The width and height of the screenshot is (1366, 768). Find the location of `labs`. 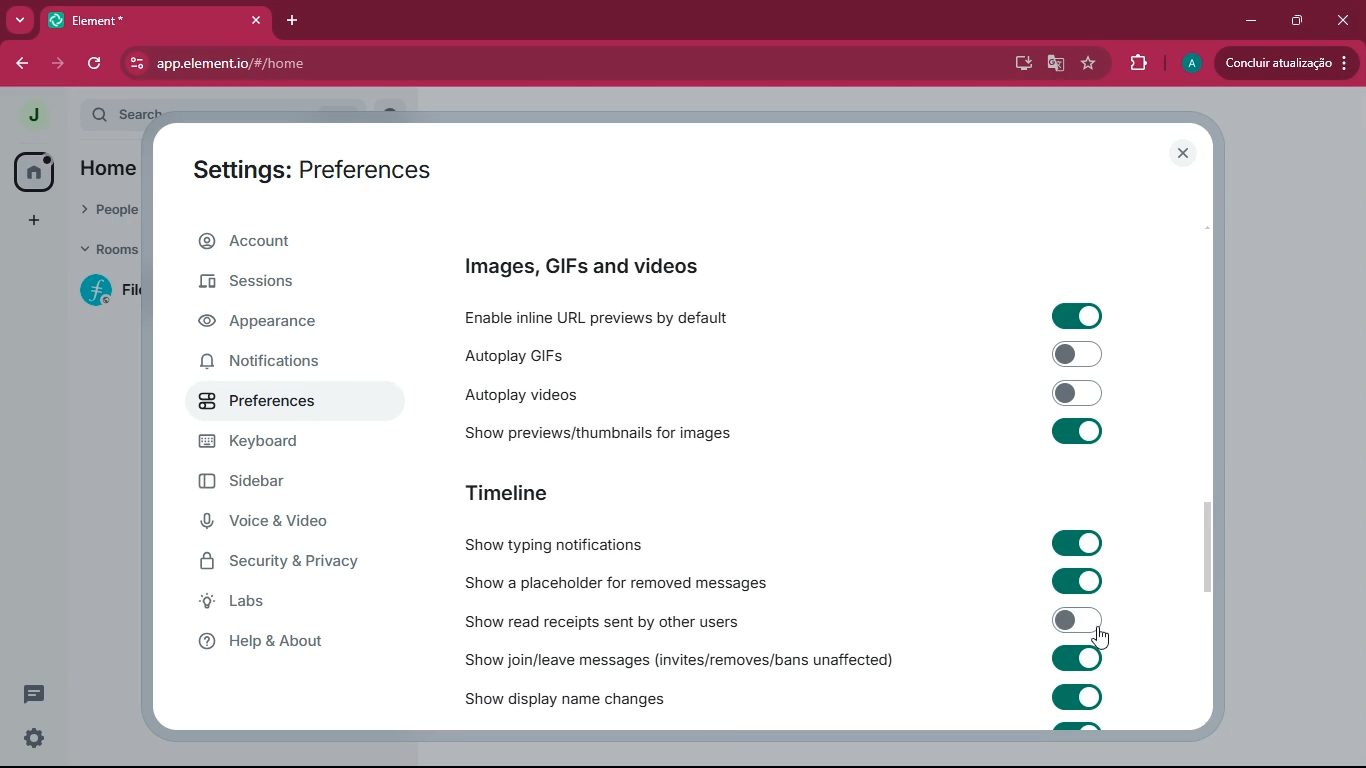

labs is located at coordinates (302, 602).